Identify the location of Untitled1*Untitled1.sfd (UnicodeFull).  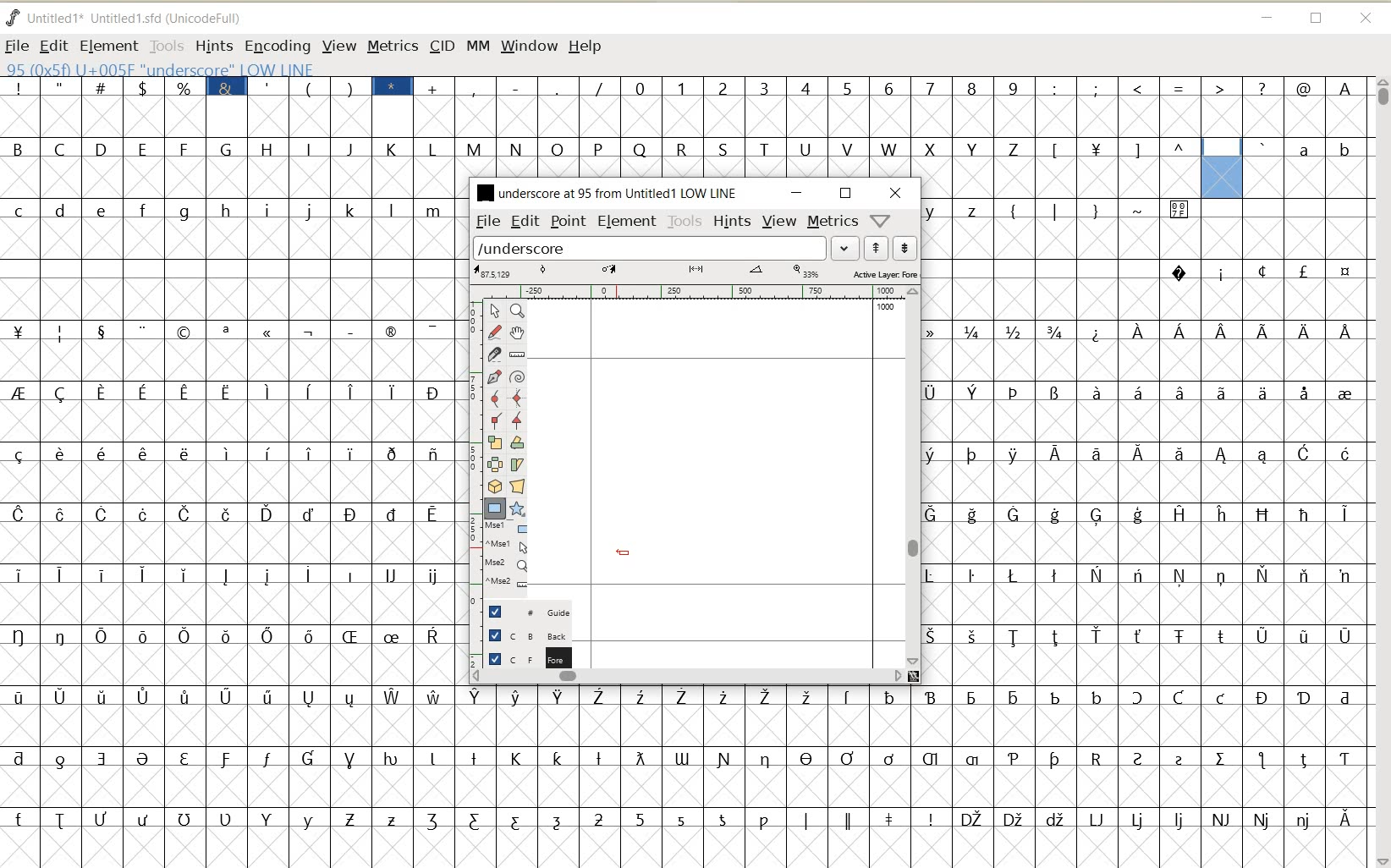
(138, 18).